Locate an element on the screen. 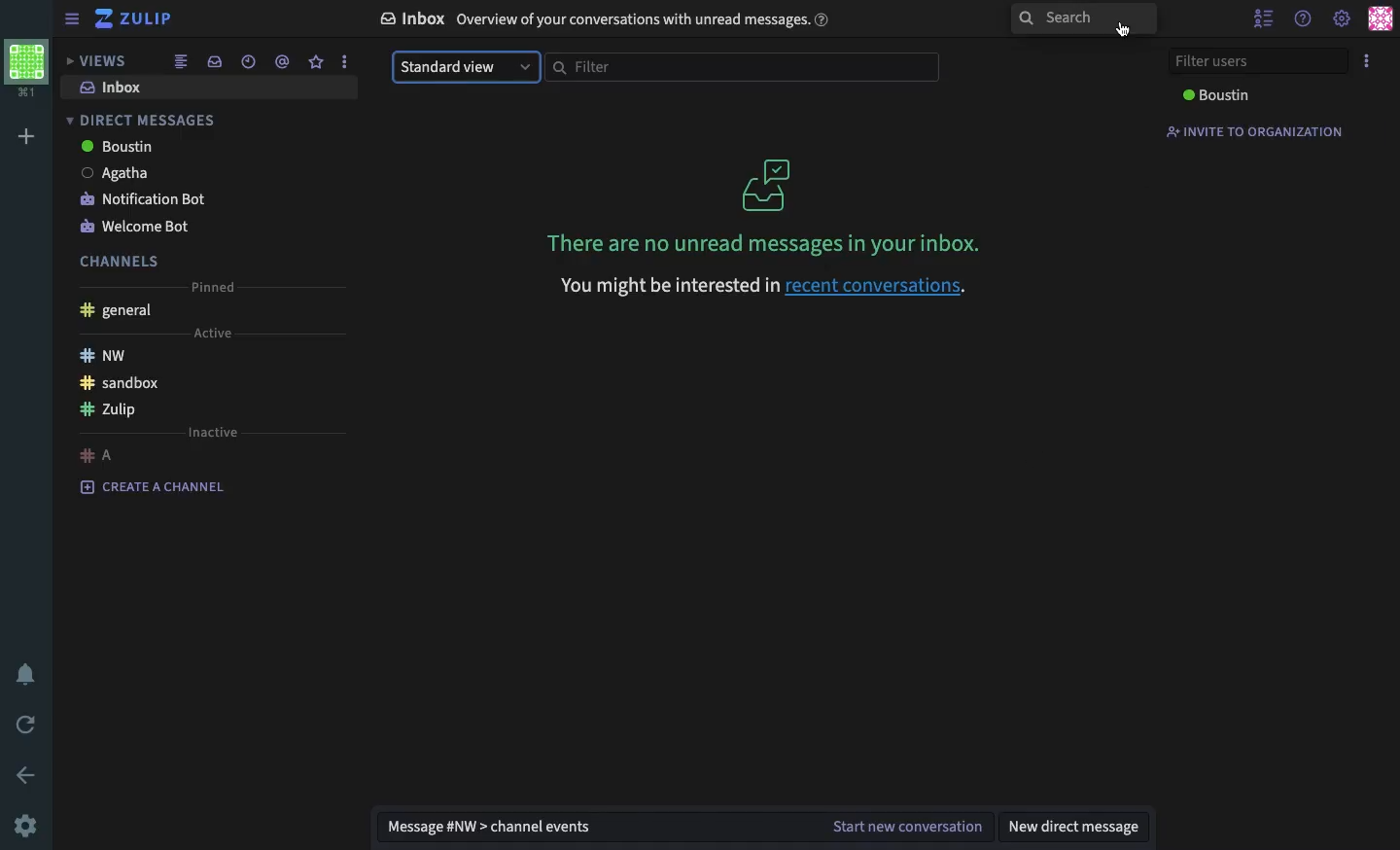 The image size is (1400, 850). invite to organization is located at coordinates (1257, 131).